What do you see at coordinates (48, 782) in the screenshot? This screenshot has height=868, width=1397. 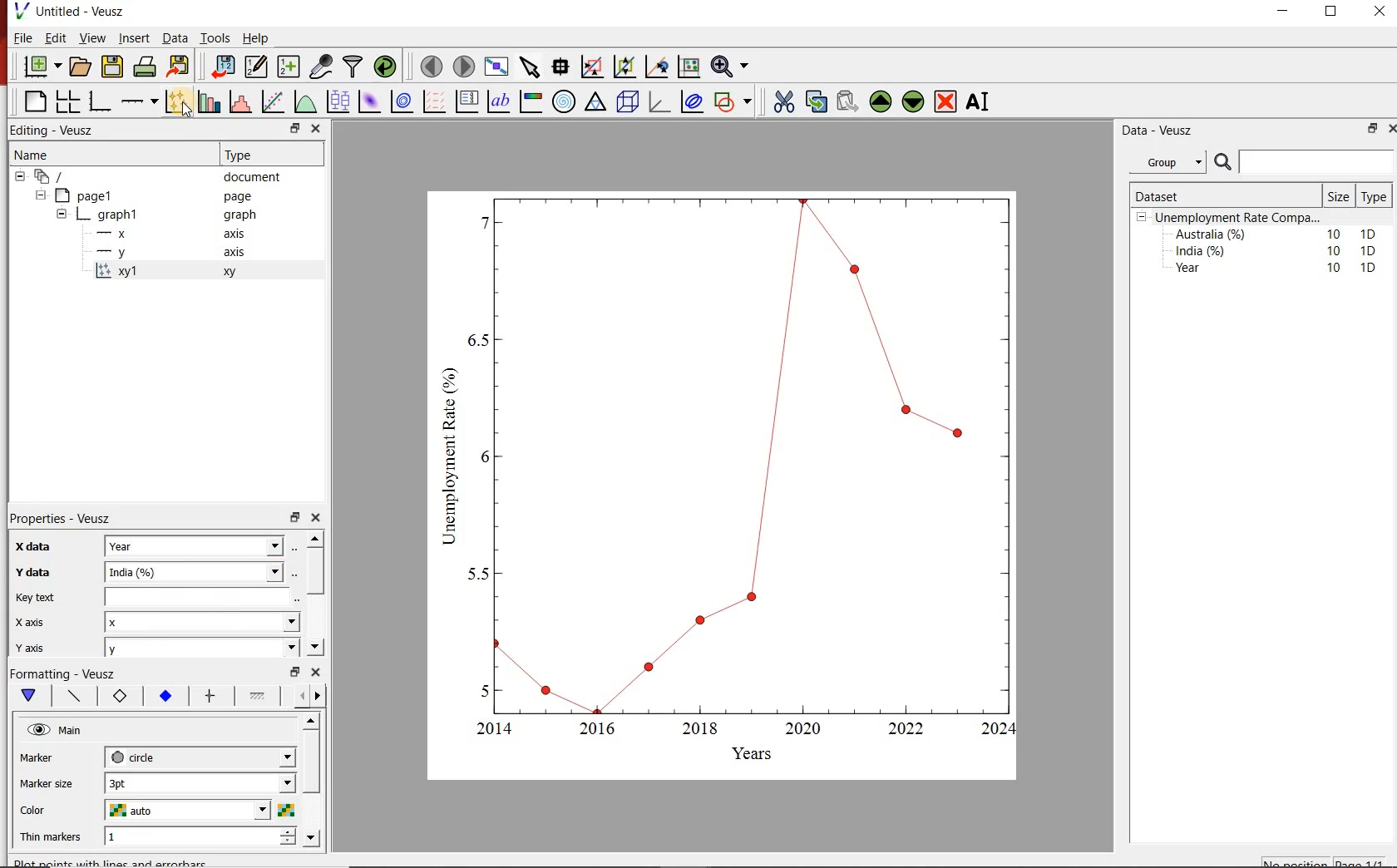 I see `Marker size` at bounding box center [48, 782].